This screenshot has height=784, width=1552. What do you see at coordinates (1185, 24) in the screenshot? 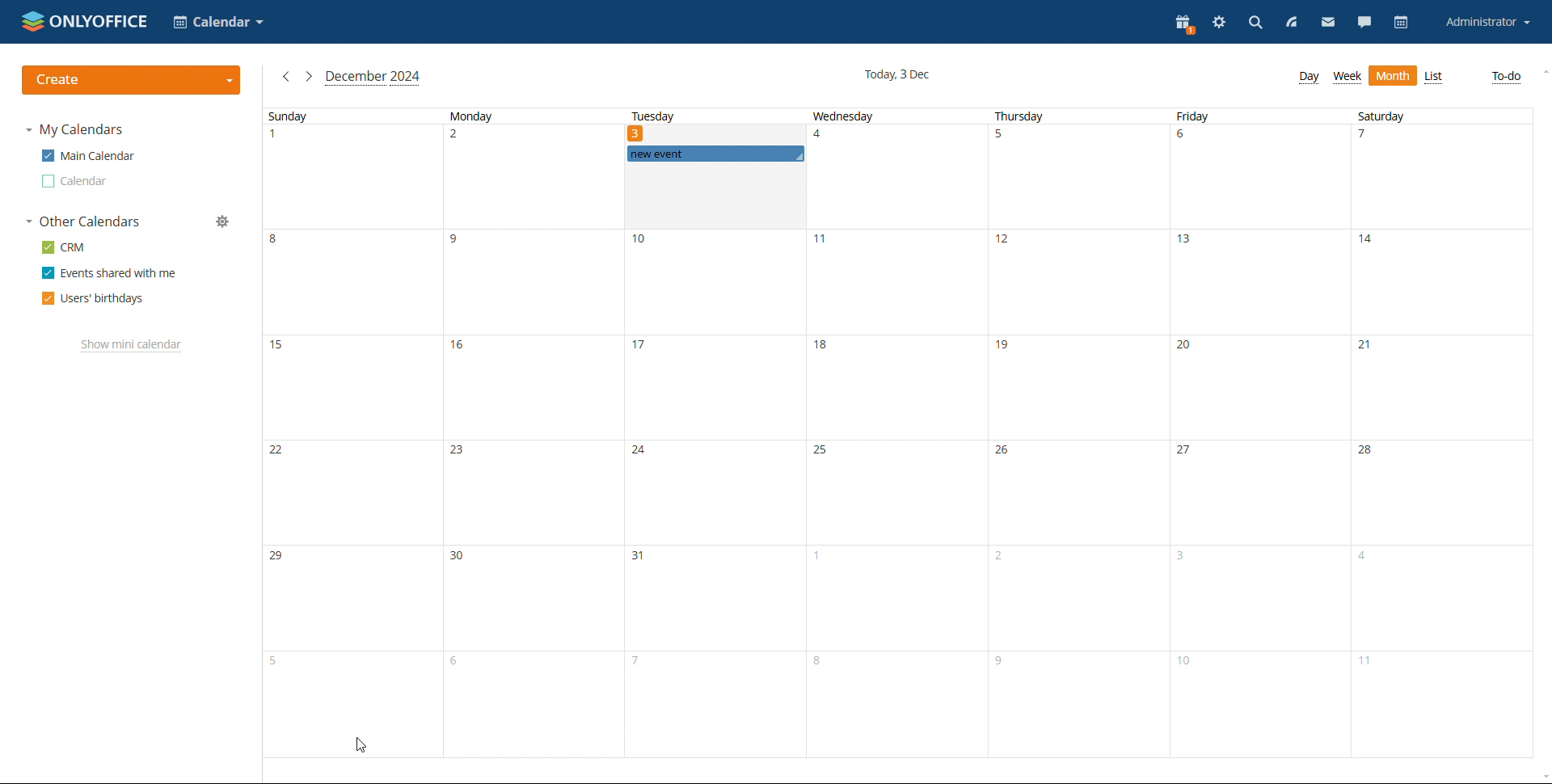
I see `present` at bounding box center [1185, 24].